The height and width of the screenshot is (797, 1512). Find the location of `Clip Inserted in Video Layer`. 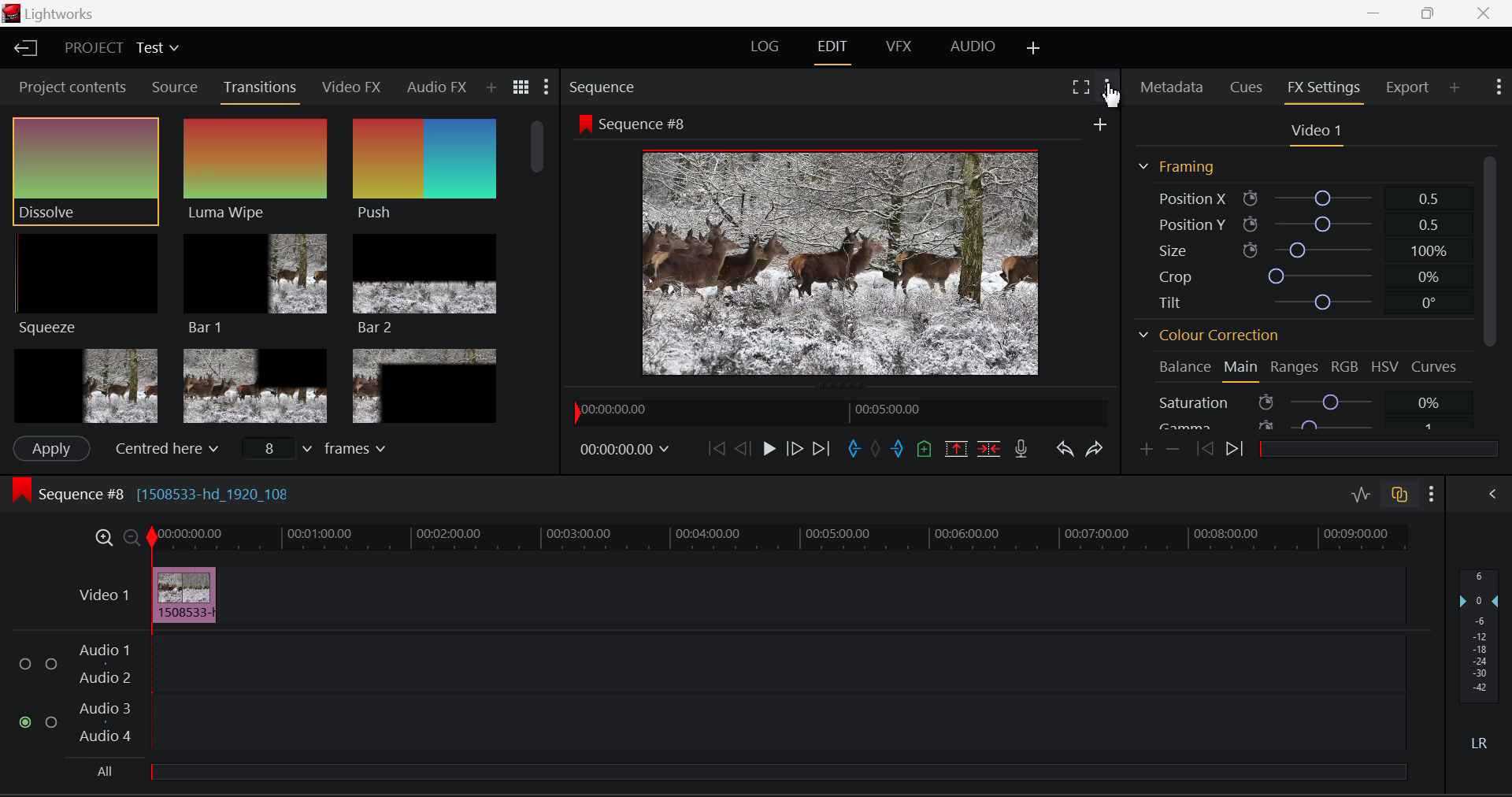

Clip Inserted in Video Layer is located at coordinates (738, 594).